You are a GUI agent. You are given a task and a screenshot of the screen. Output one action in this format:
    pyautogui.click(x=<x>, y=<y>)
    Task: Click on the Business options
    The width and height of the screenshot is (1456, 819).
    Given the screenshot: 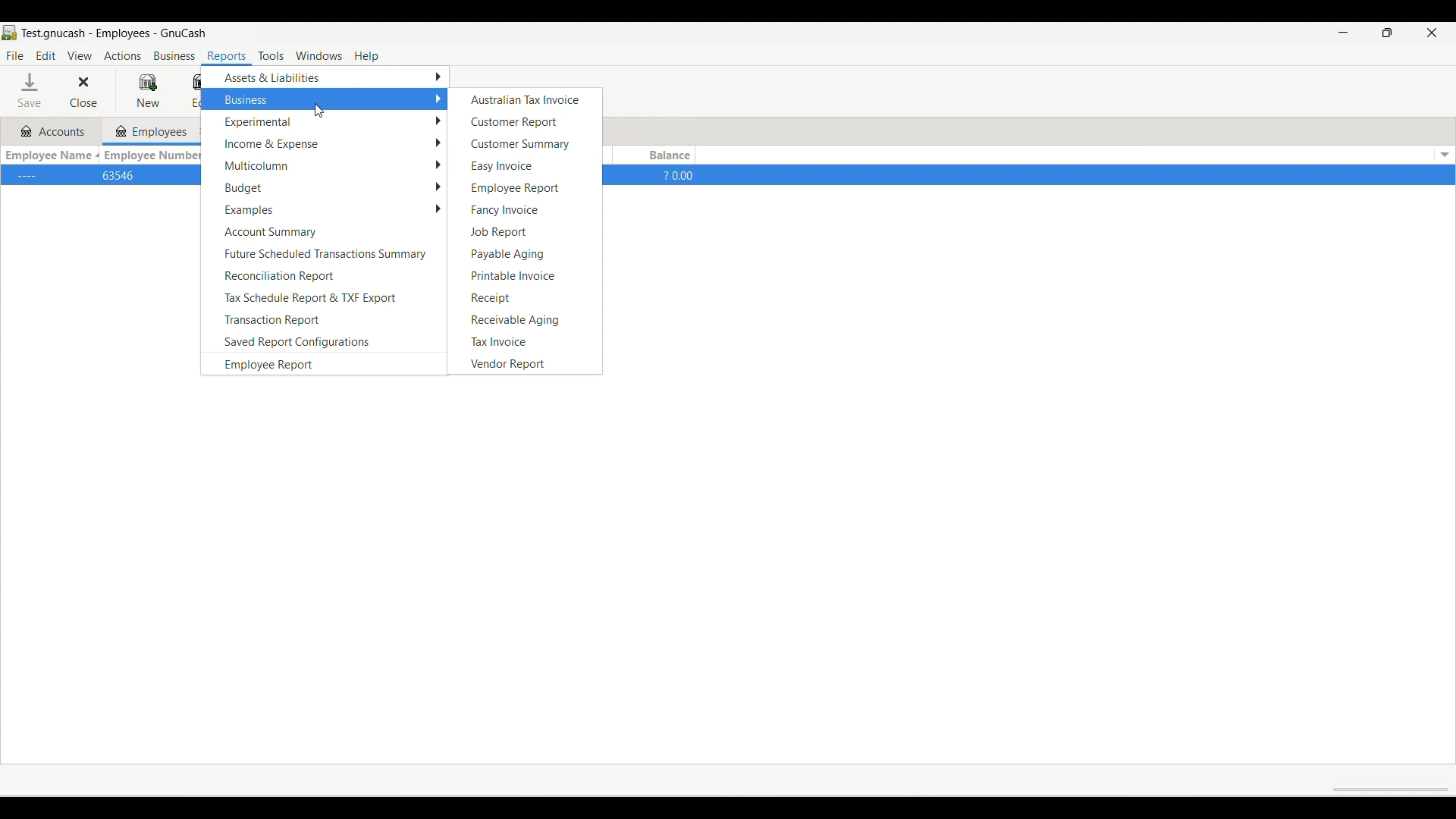 What is the action you would take?
    pyautogui.click(x=325, y=98)
    